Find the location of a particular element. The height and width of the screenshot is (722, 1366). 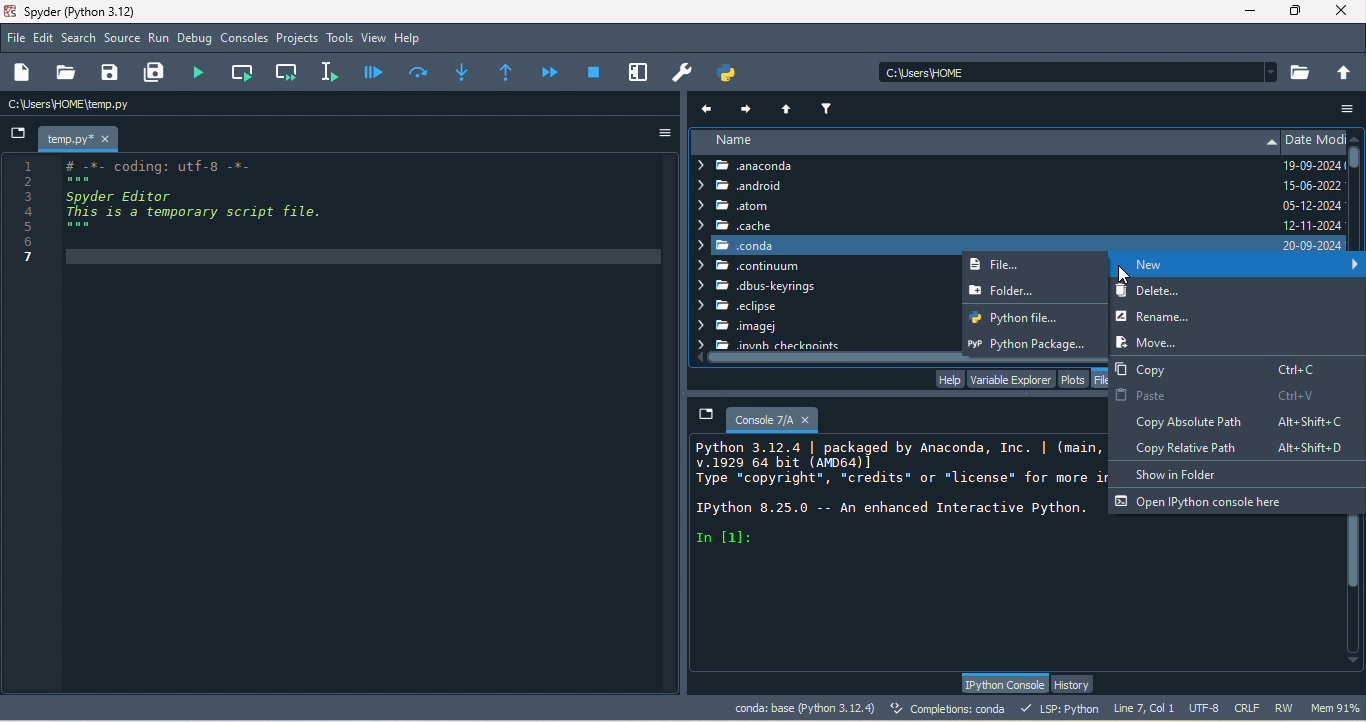

rename is located at coordinates (1175, 317).